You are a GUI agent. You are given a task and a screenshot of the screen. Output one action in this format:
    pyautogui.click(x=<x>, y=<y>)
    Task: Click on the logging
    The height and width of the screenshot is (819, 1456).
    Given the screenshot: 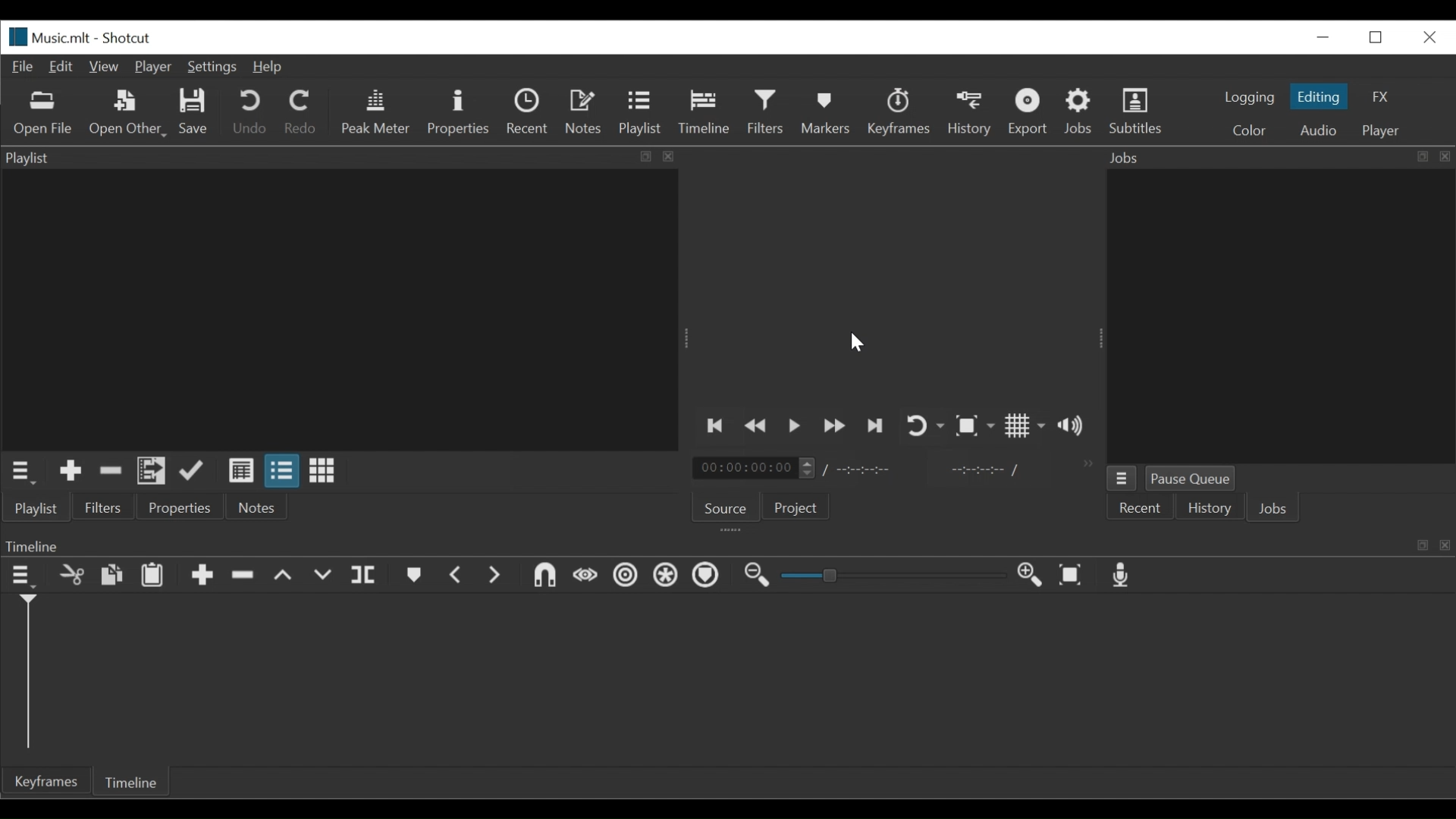 What is the action you would take?
    pyautogui.click(x=1253, y=99)
    